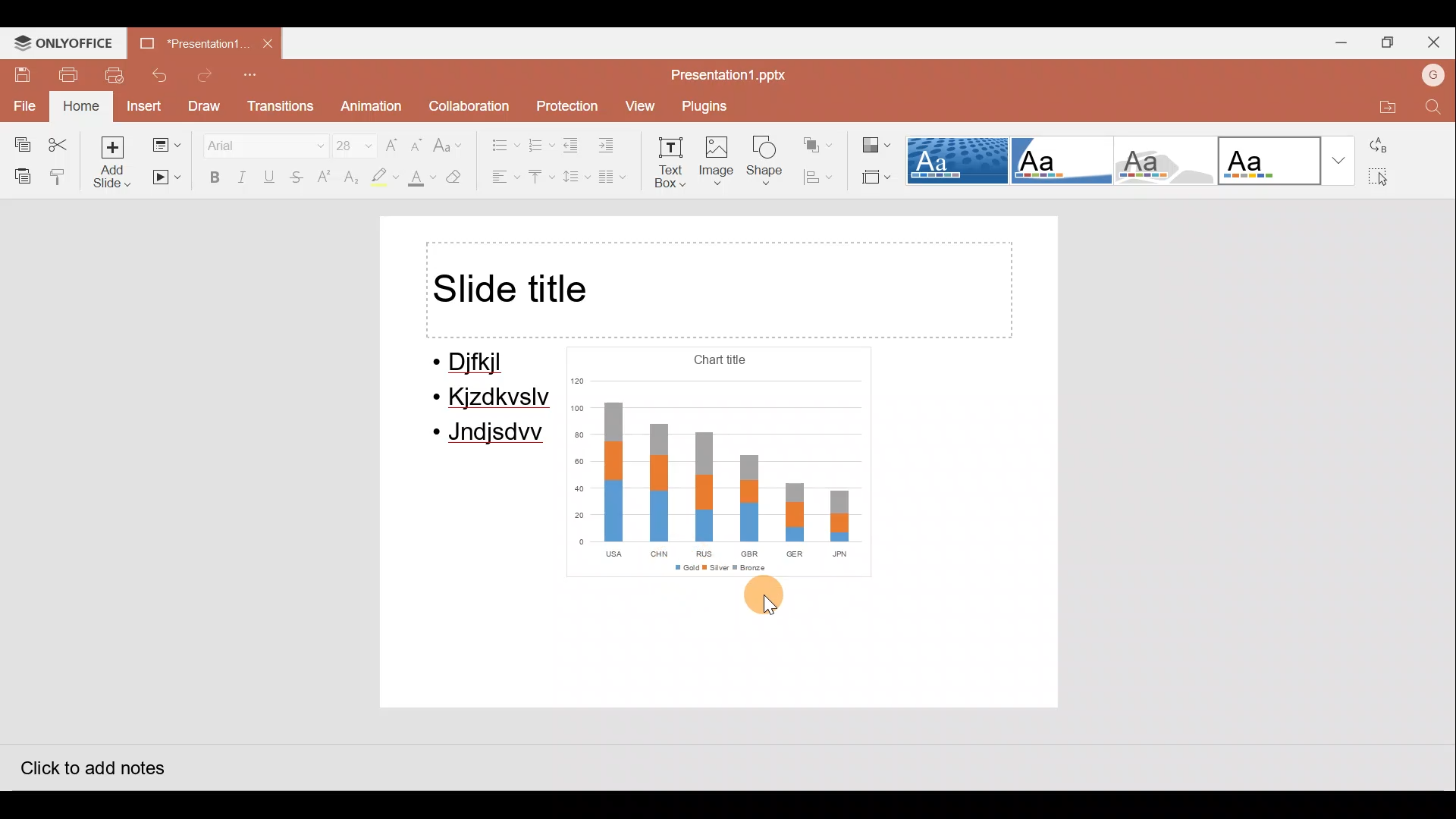 The height and width of the screenshot is (819, 1456). I want to click on Add slide, so click(113, 162).